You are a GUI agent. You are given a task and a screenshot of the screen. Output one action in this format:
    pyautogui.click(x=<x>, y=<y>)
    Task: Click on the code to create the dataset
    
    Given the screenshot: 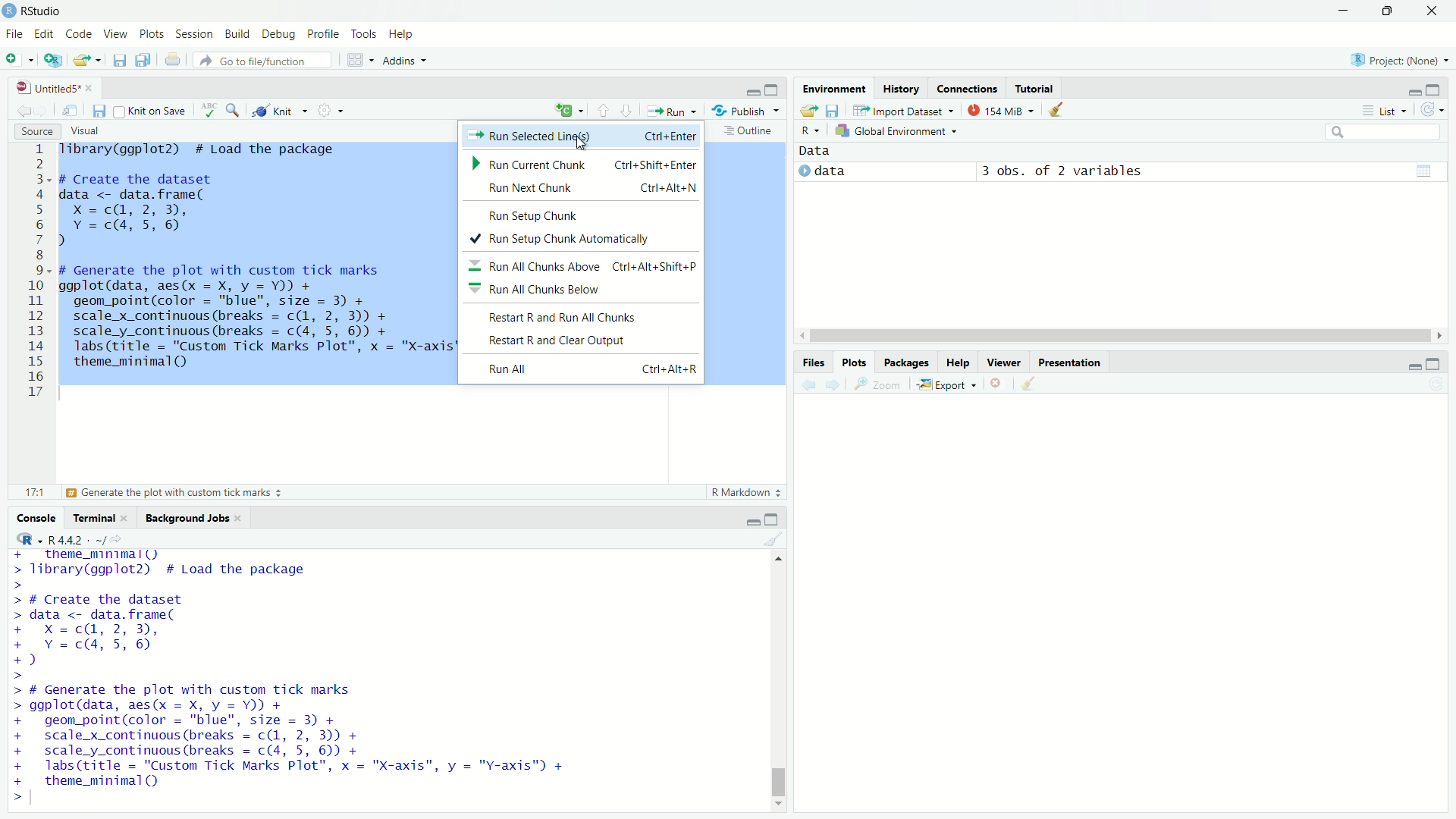 What is the action you would take?
    pyautogui.click(x=136, y=631)
    